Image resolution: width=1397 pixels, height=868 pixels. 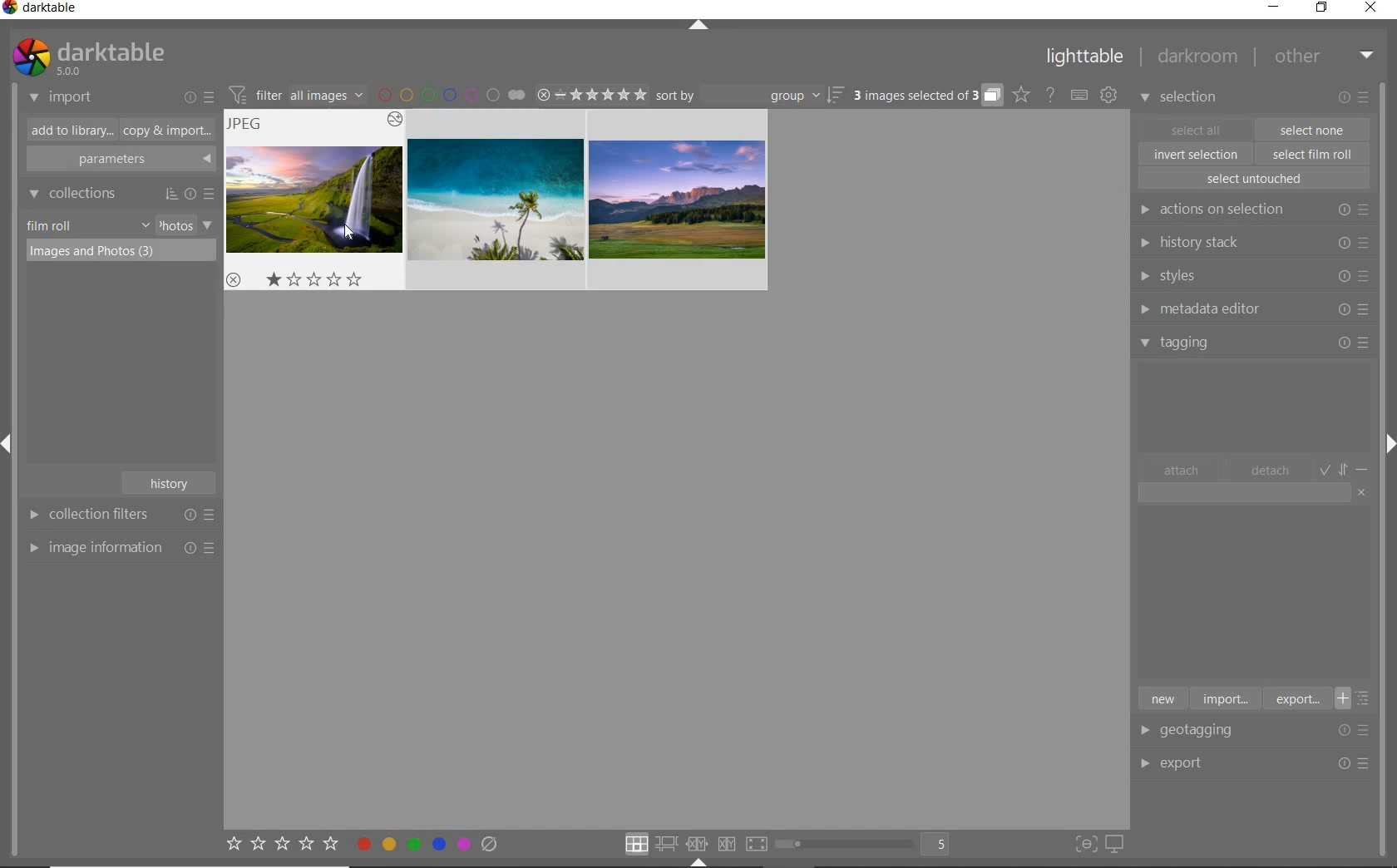 I want to click on actions on selection, so click(x=1251, y=210).